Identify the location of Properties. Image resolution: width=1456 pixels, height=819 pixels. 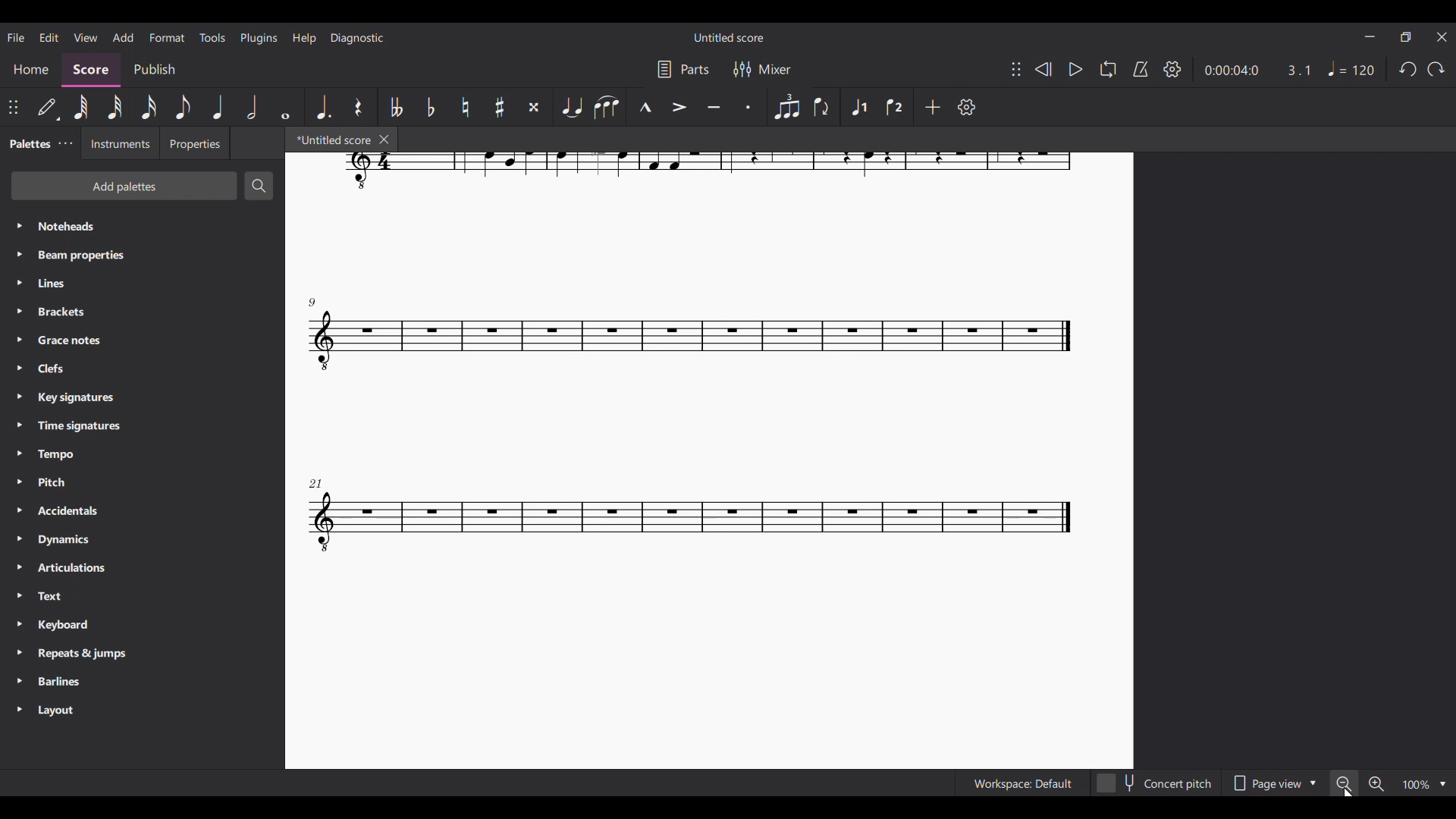
(196, 143).